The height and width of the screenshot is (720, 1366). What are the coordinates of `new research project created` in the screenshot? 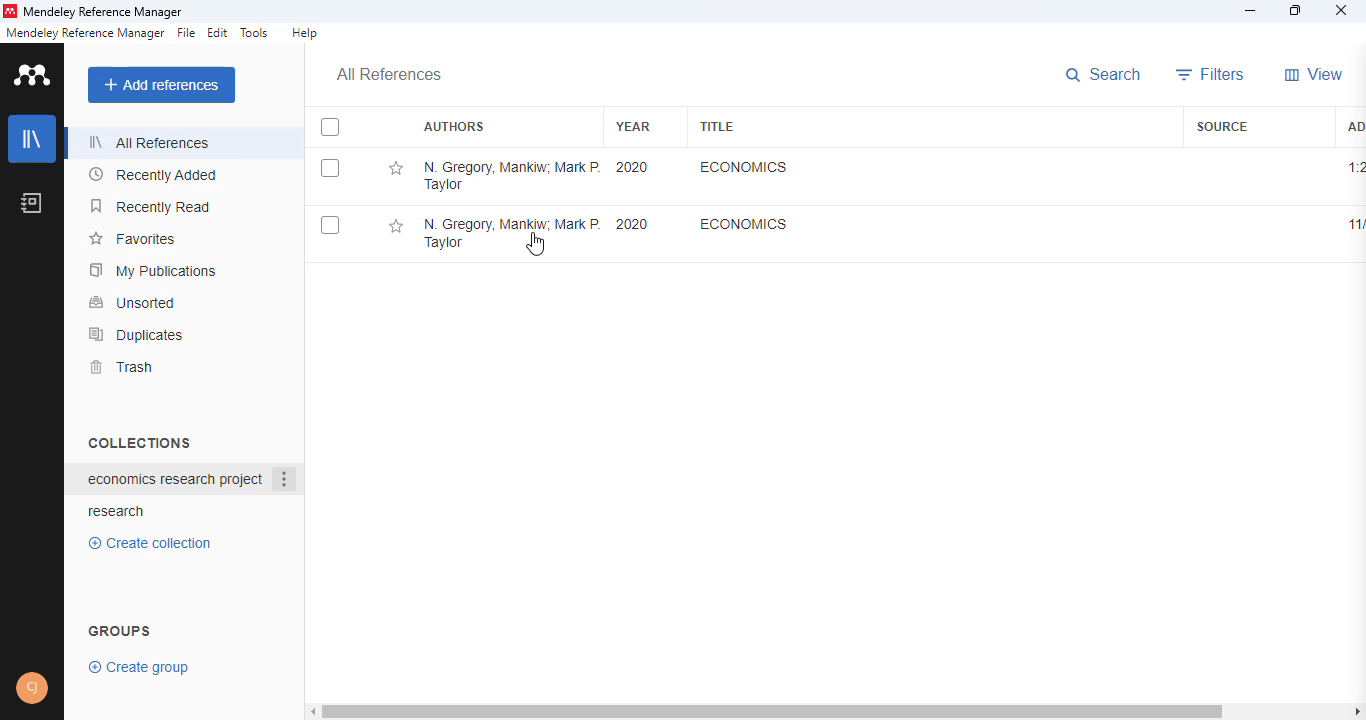 It's located at (174, 479).